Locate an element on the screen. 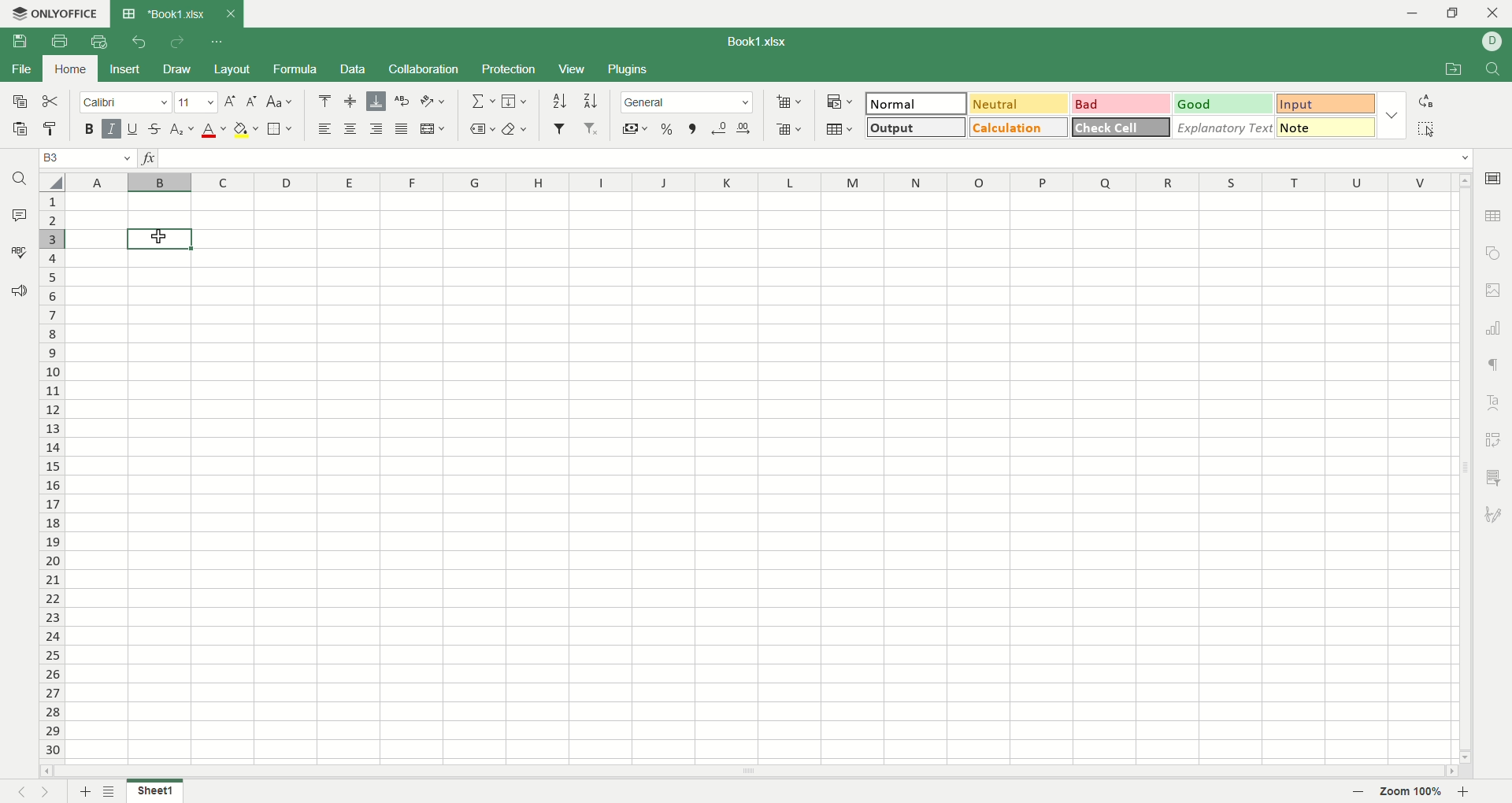 The image size is (1512, 803). change case is located at coordinates (281, 102).